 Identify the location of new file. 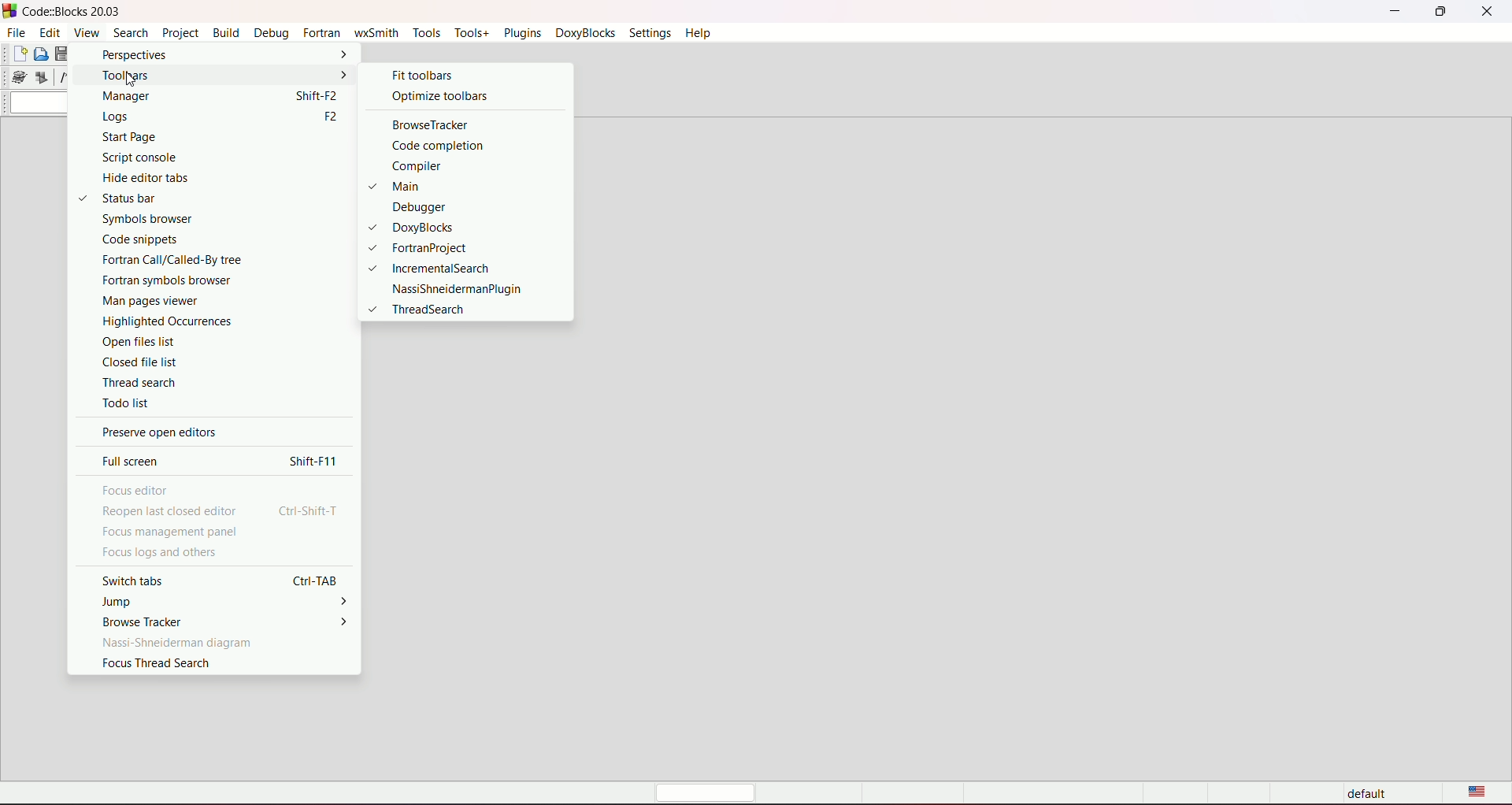
(18, 54).